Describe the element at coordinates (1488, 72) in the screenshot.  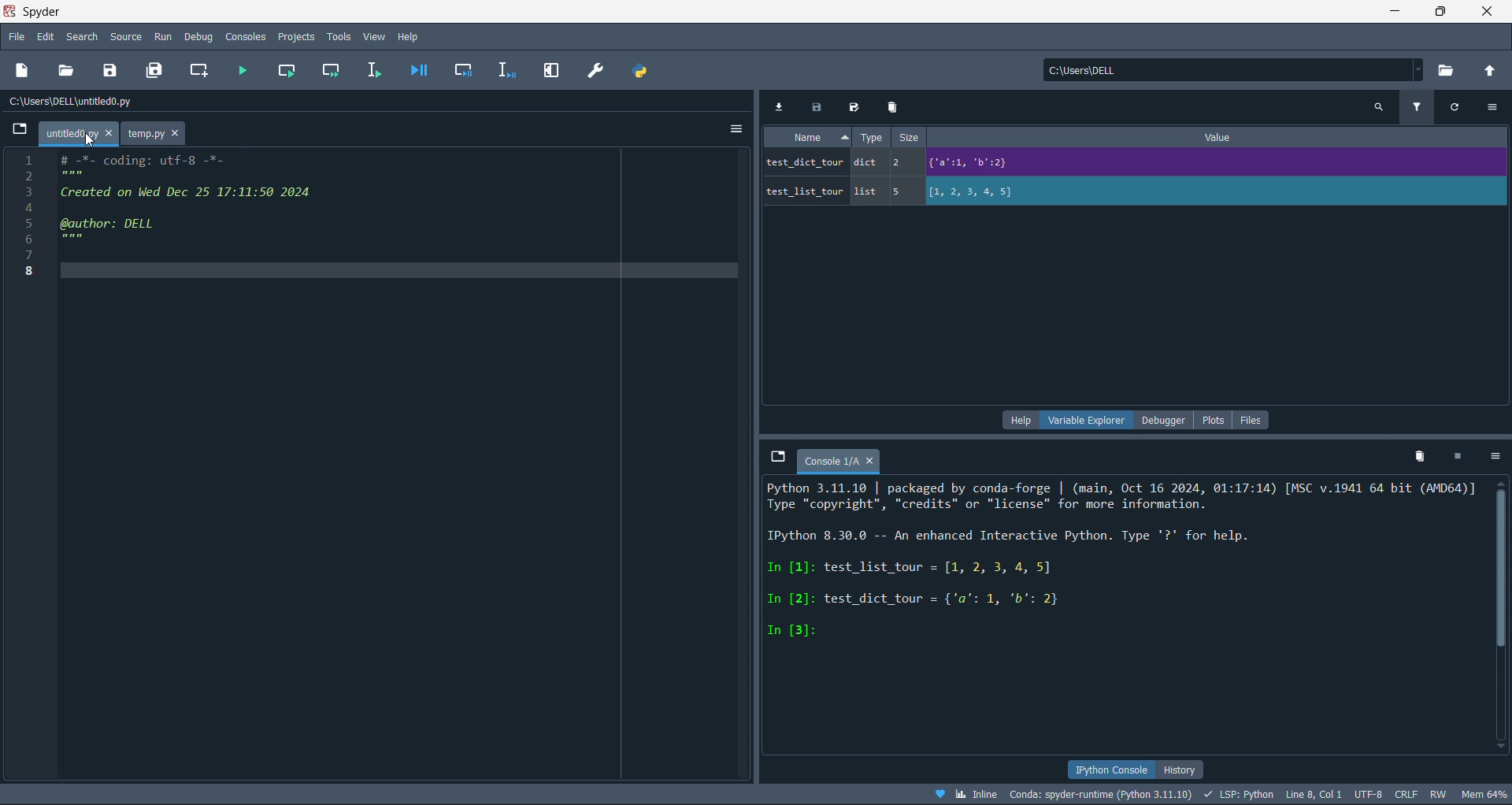
I see `change directory` at that location.